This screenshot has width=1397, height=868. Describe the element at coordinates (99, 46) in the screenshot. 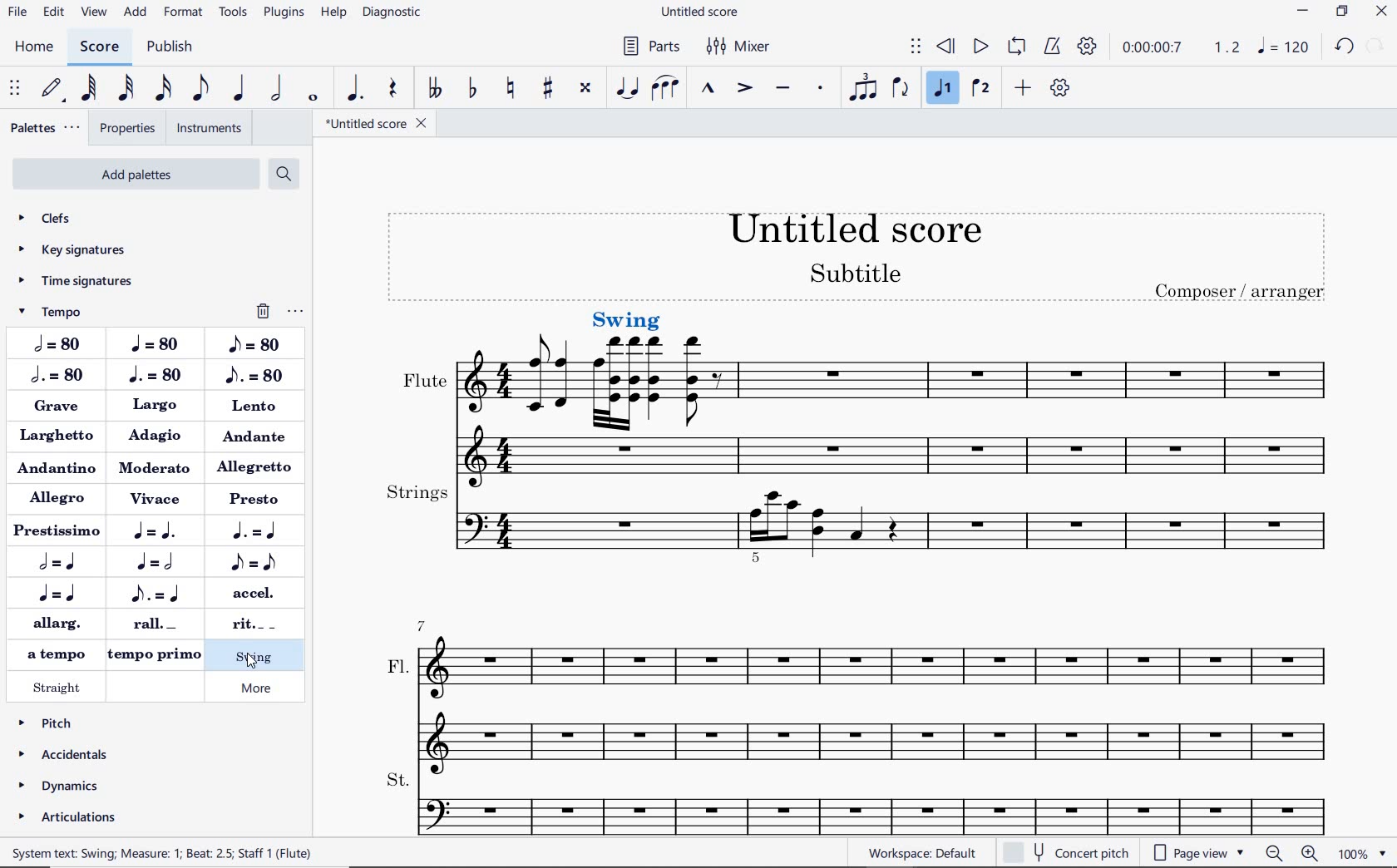

I see `score` at that location.